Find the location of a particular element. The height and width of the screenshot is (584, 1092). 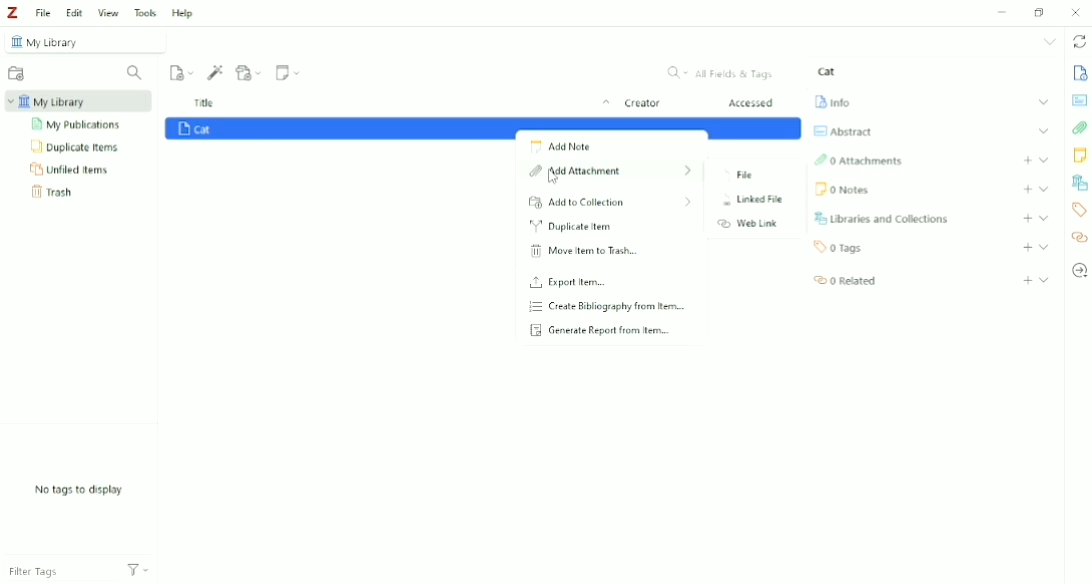

Help is located at coordinates (182, 14).